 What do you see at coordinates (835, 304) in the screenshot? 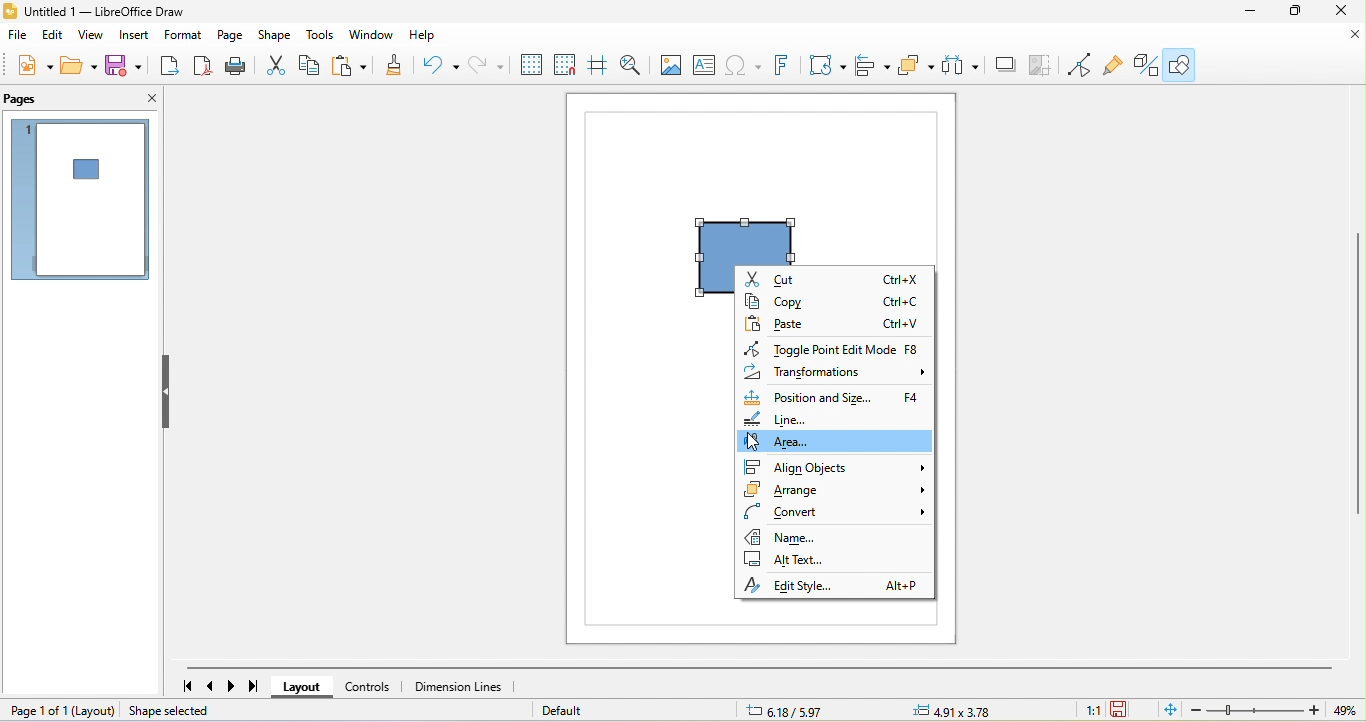
I see `copy` at bounding box center [835, 304].